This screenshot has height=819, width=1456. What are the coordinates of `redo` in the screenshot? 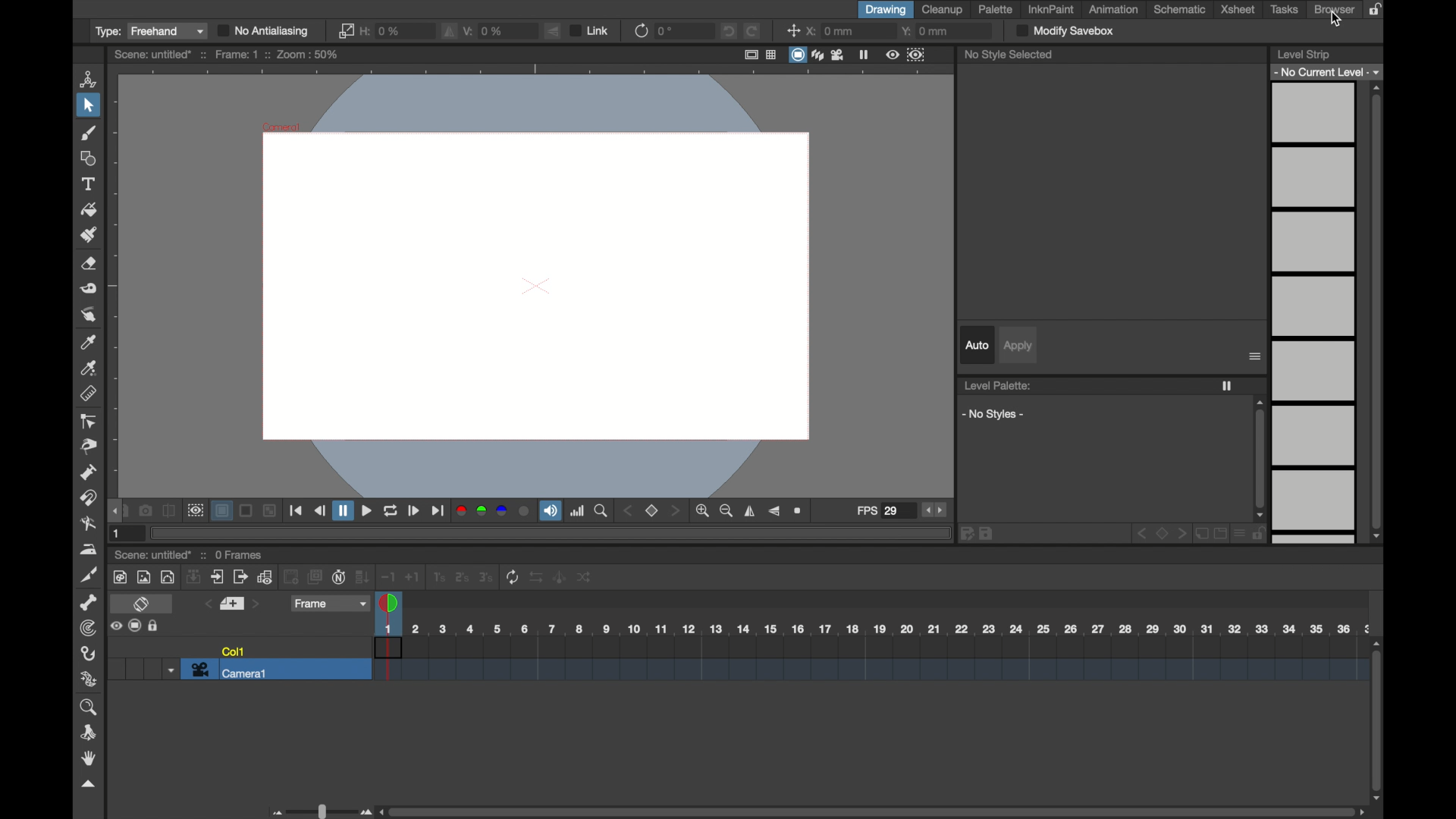 It's located at (752, 30).